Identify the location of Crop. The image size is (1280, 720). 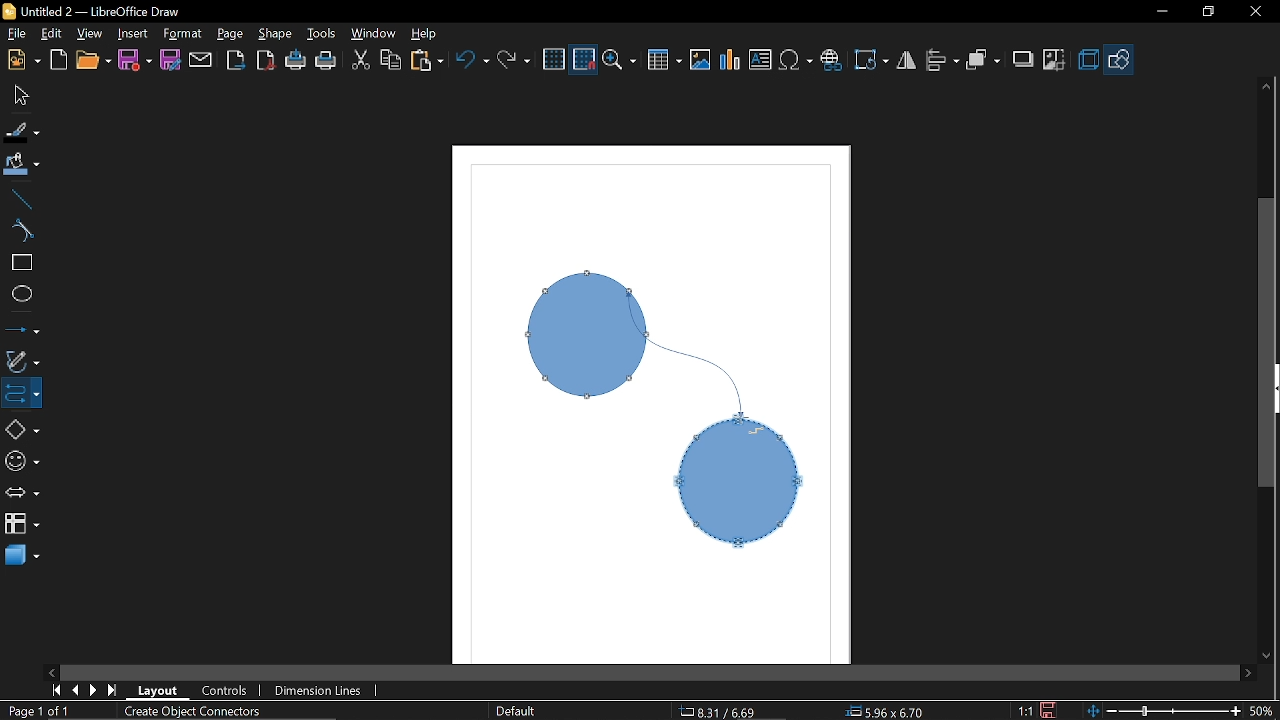
(1052, 60).